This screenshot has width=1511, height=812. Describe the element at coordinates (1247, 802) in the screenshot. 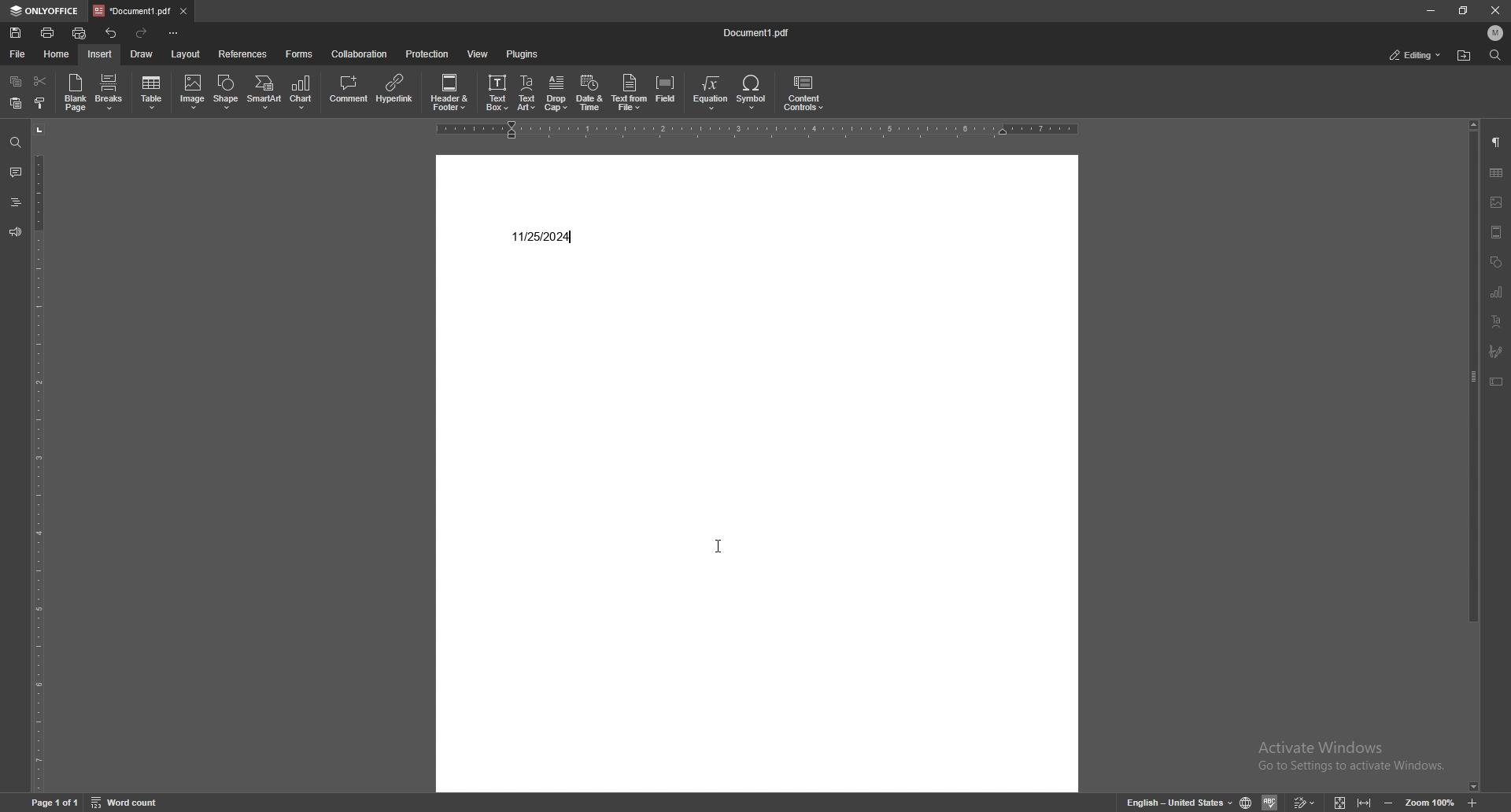

I see `set doc language` at that location.